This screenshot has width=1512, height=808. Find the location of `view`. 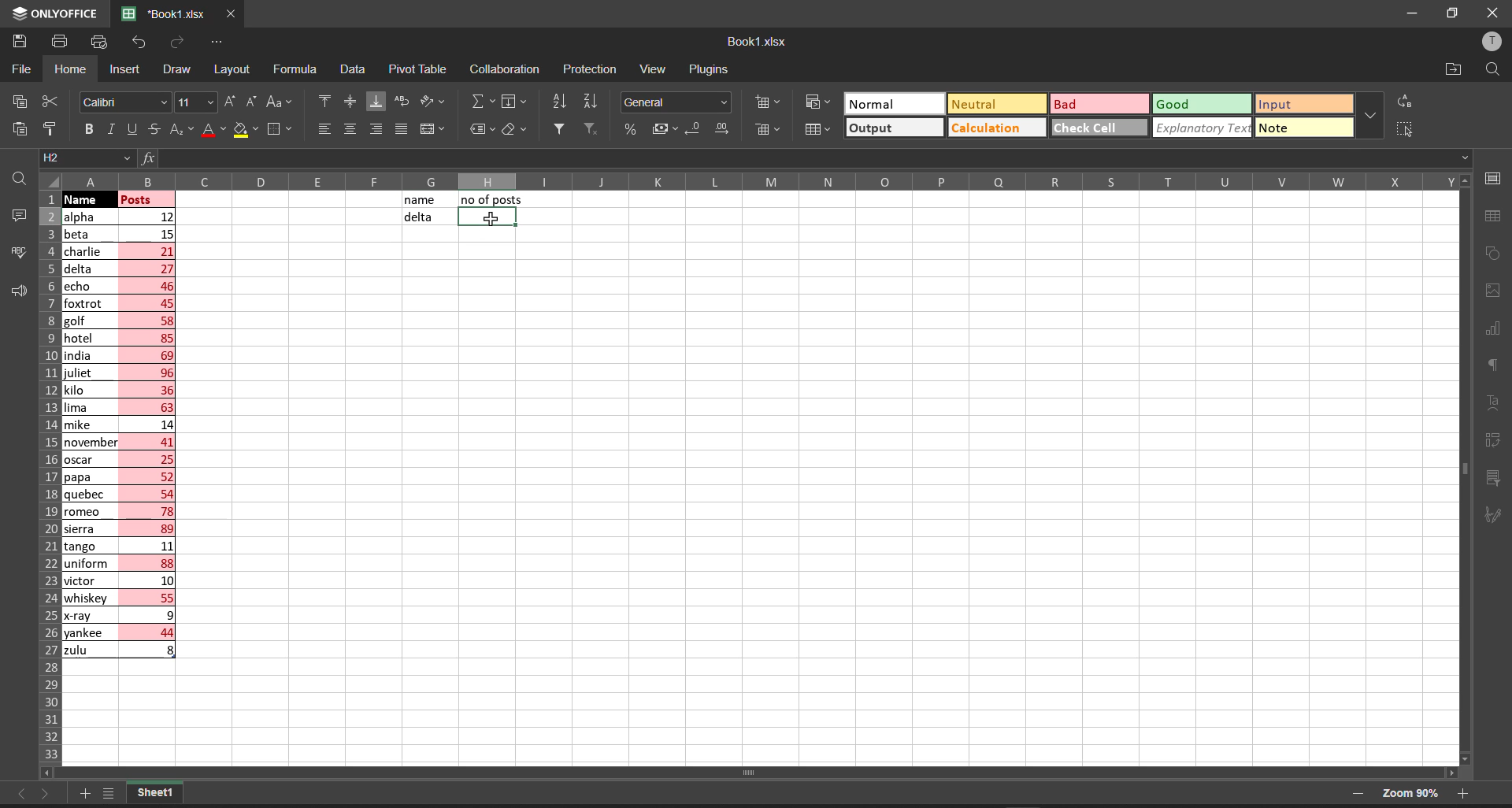

view is located at coordinates (653, 70).